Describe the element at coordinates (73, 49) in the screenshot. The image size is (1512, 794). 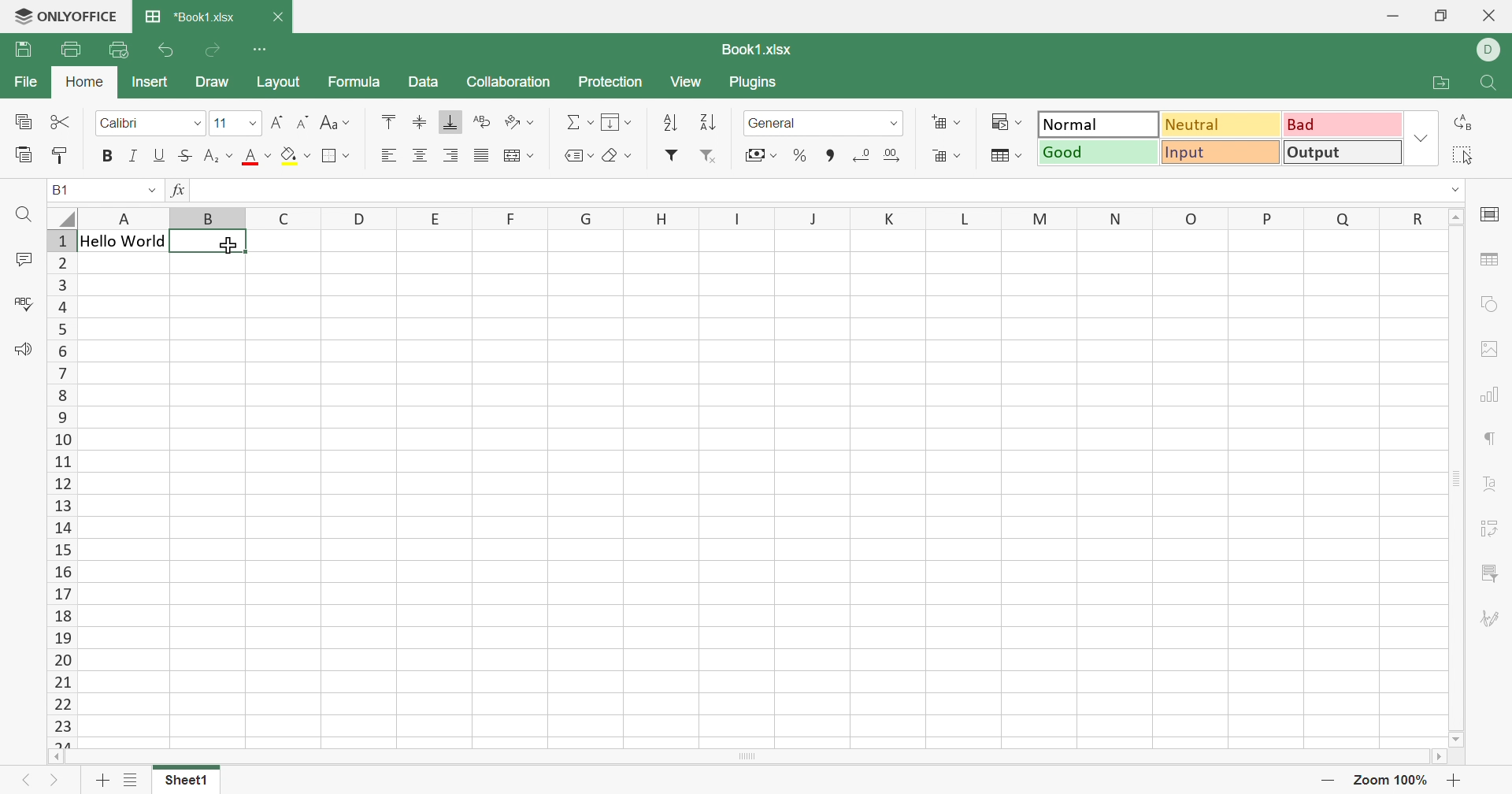
I see `Print file` at that location.